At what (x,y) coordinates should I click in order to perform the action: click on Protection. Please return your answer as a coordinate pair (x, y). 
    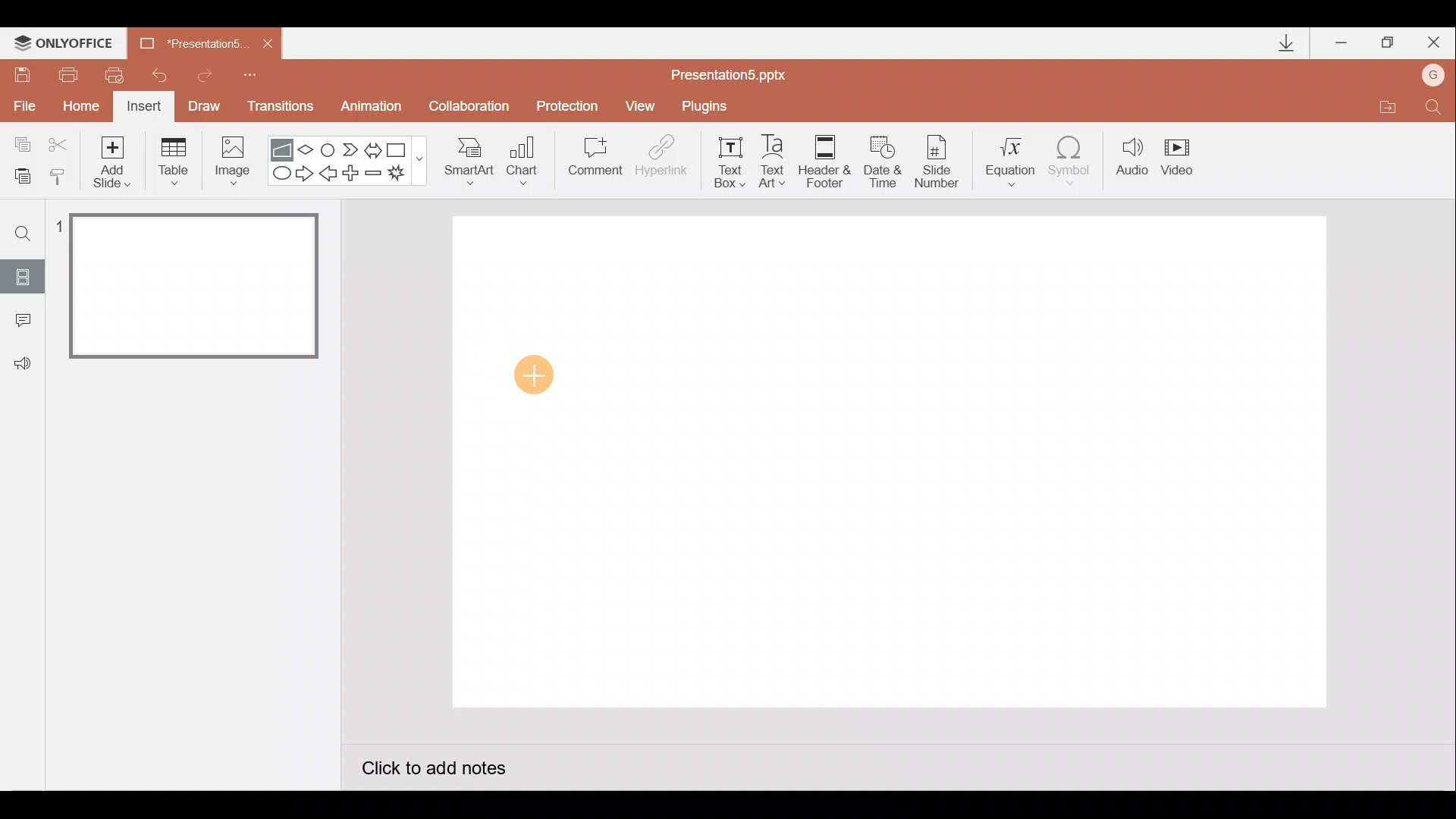
    Looking at the image, I should click on (572, 105).